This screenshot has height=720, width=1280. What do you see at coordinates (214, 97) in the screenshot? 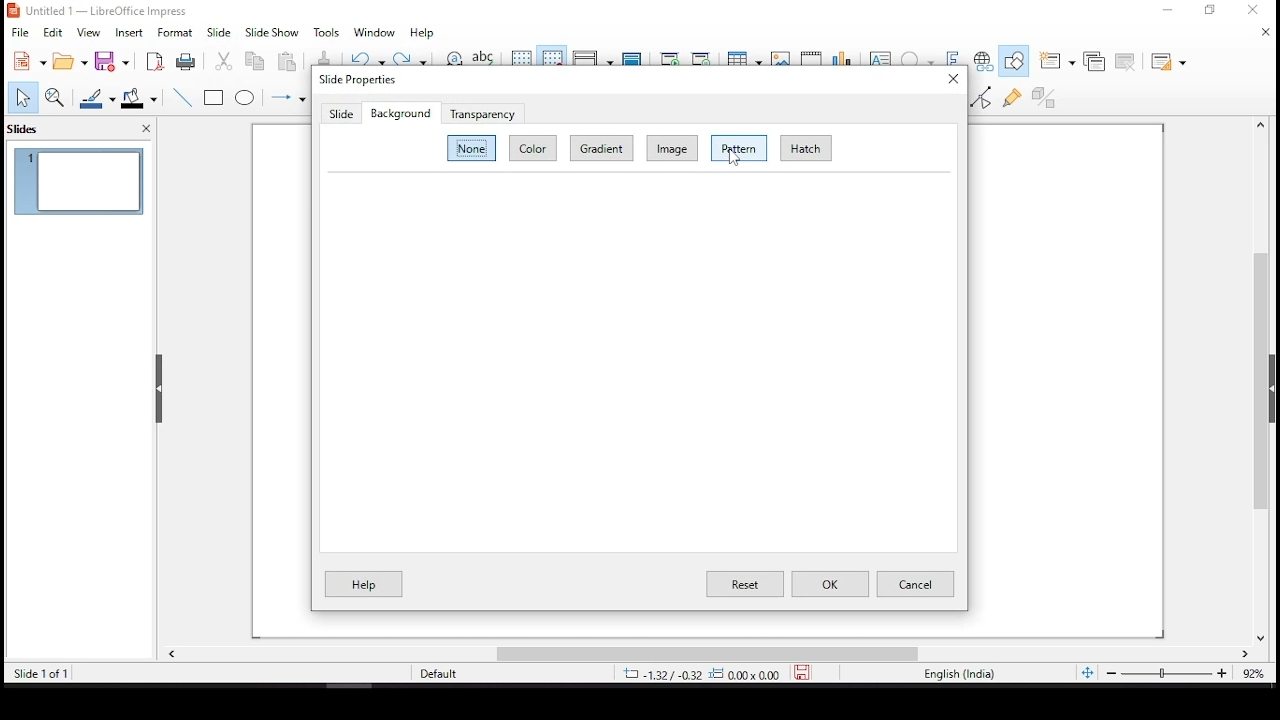
I see `rectangle` at bounding box center [214, 97].